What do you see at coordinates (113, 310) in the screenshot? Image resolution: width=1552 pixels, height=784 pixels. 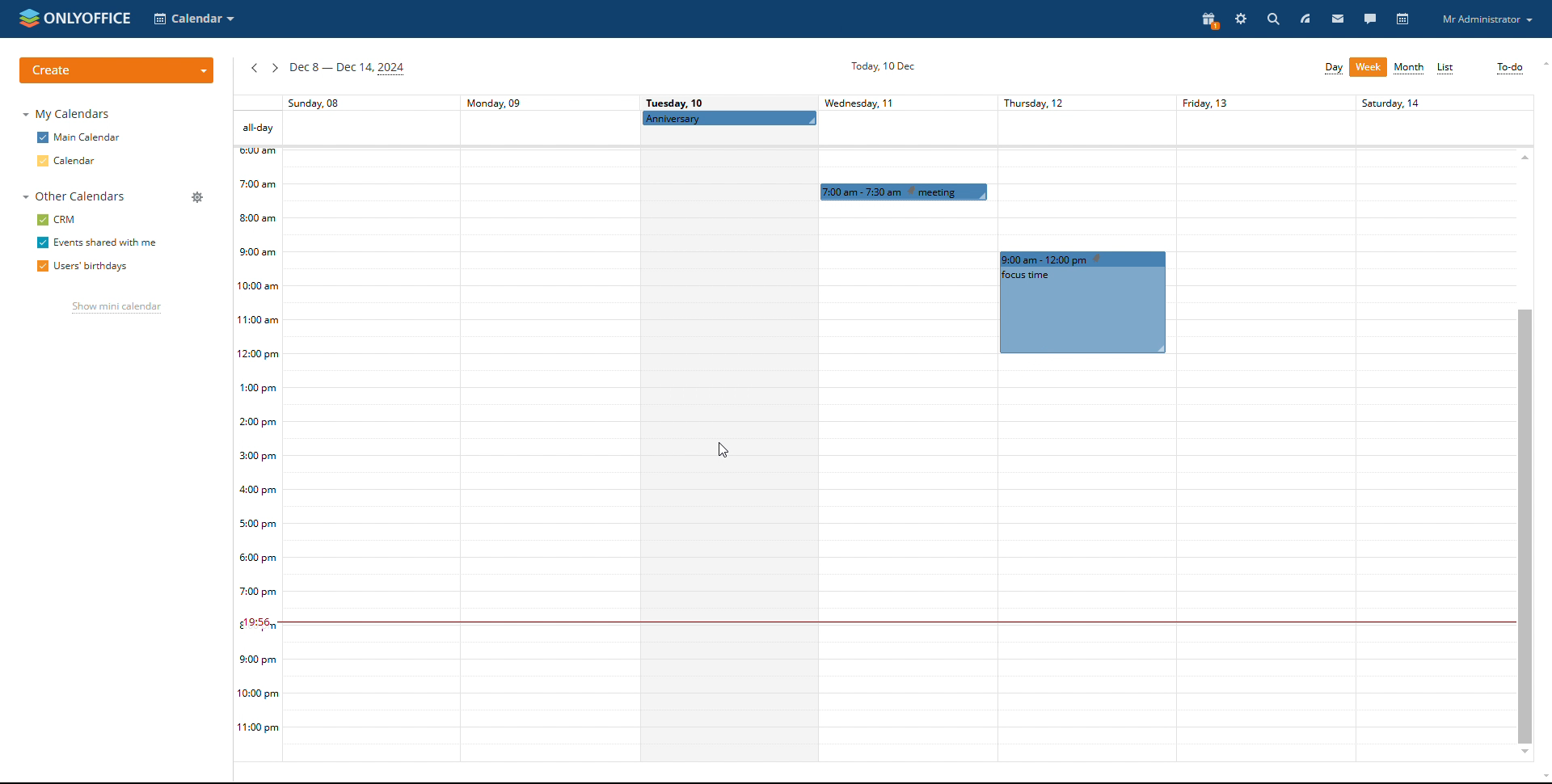 I see `show mini calendar` at bounding box center [113, 310].